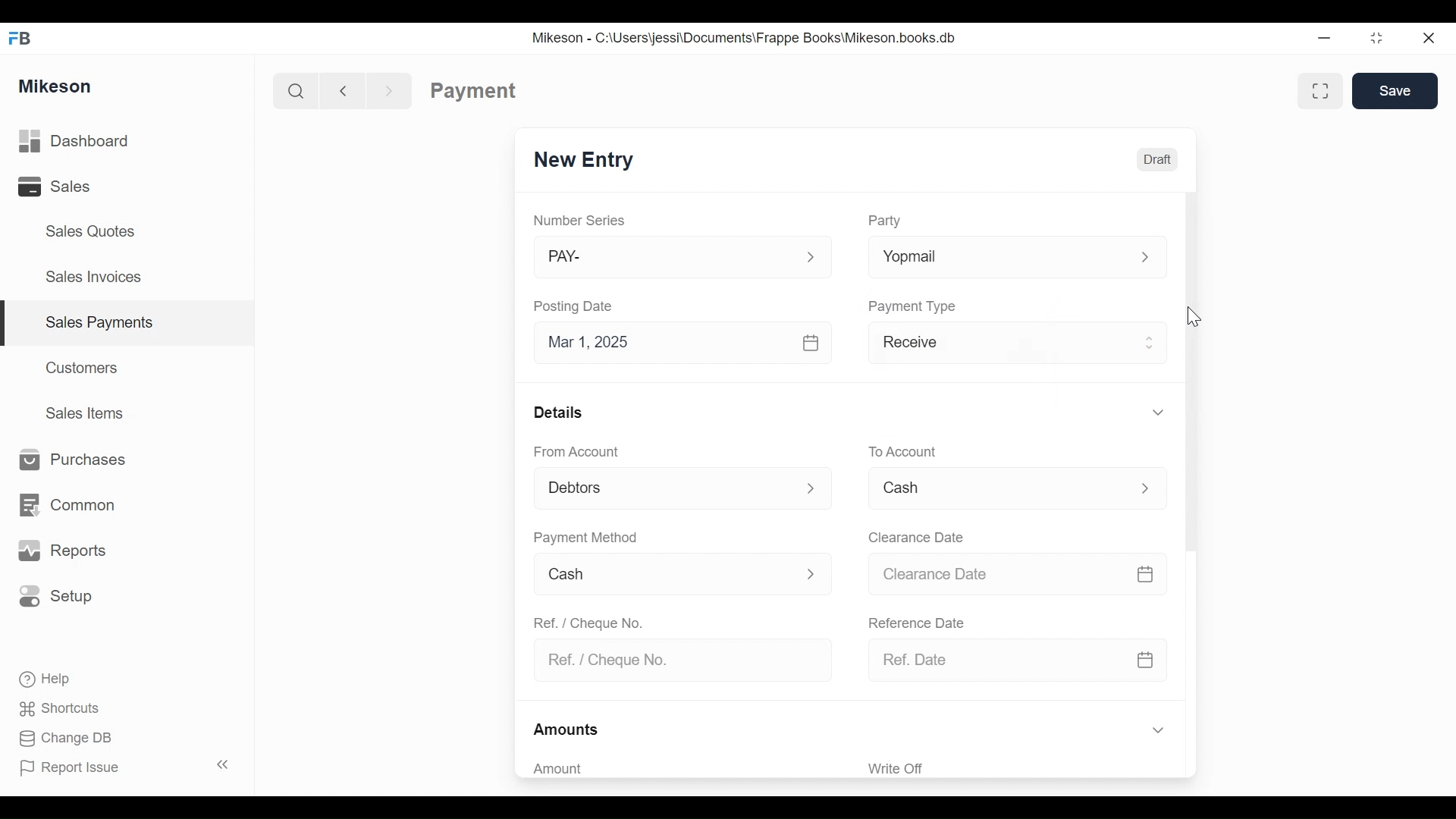 The image size is (1456, 819). What do you see at coordinates (83, 231) in the screenshot?
I see `Sales Quotes` at bounding box center [83, 231].